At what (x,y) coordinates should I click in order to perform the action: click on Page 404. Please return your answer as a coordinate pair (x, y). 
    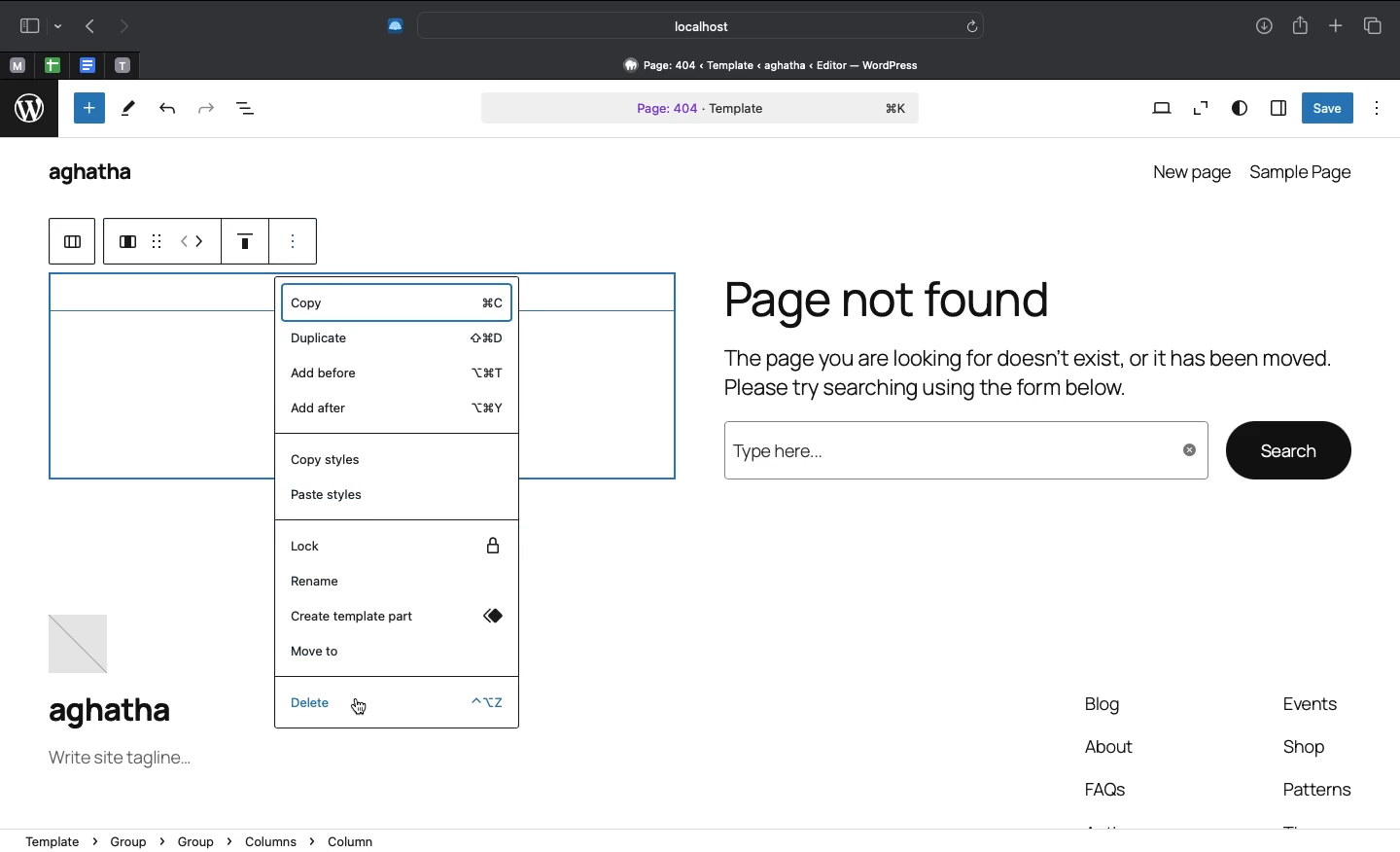
    Looking at the image, I should click on (701, 110).